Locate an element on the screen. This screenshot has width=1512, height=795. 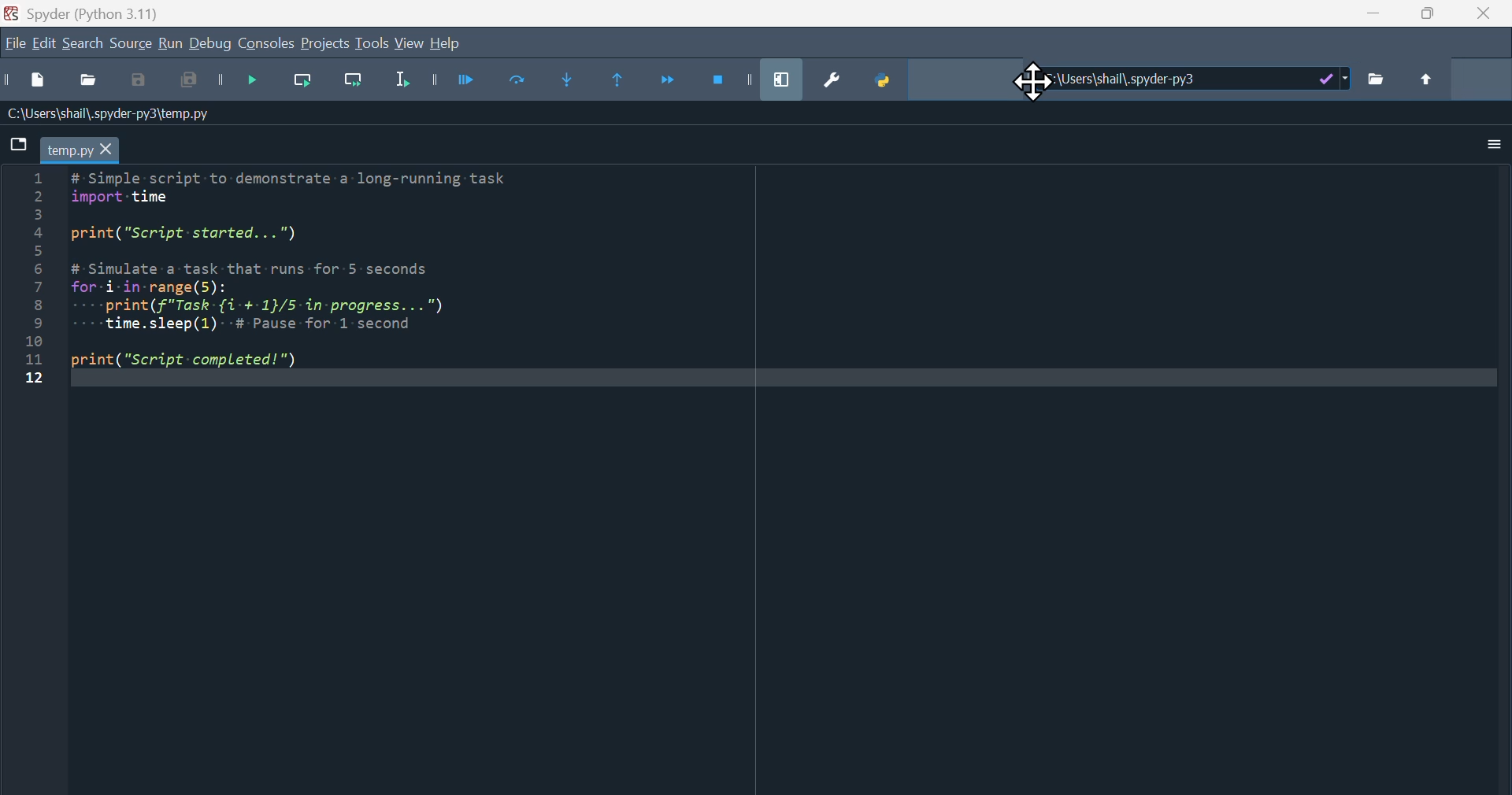
close is located at coordinates (1487, 18).